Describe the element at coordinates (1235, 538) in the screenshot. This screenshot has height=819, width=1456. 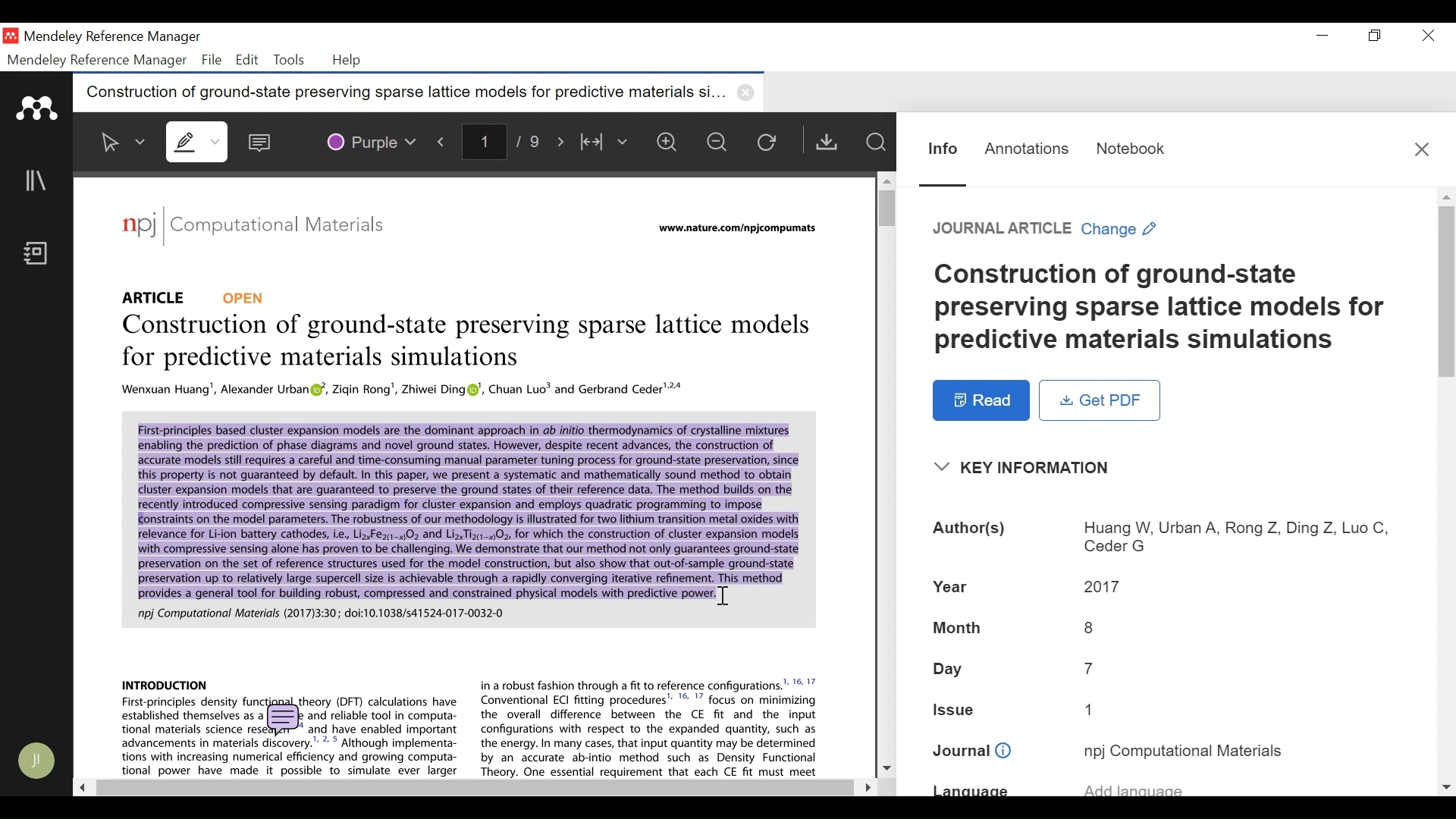
I see `Authors` at that location.